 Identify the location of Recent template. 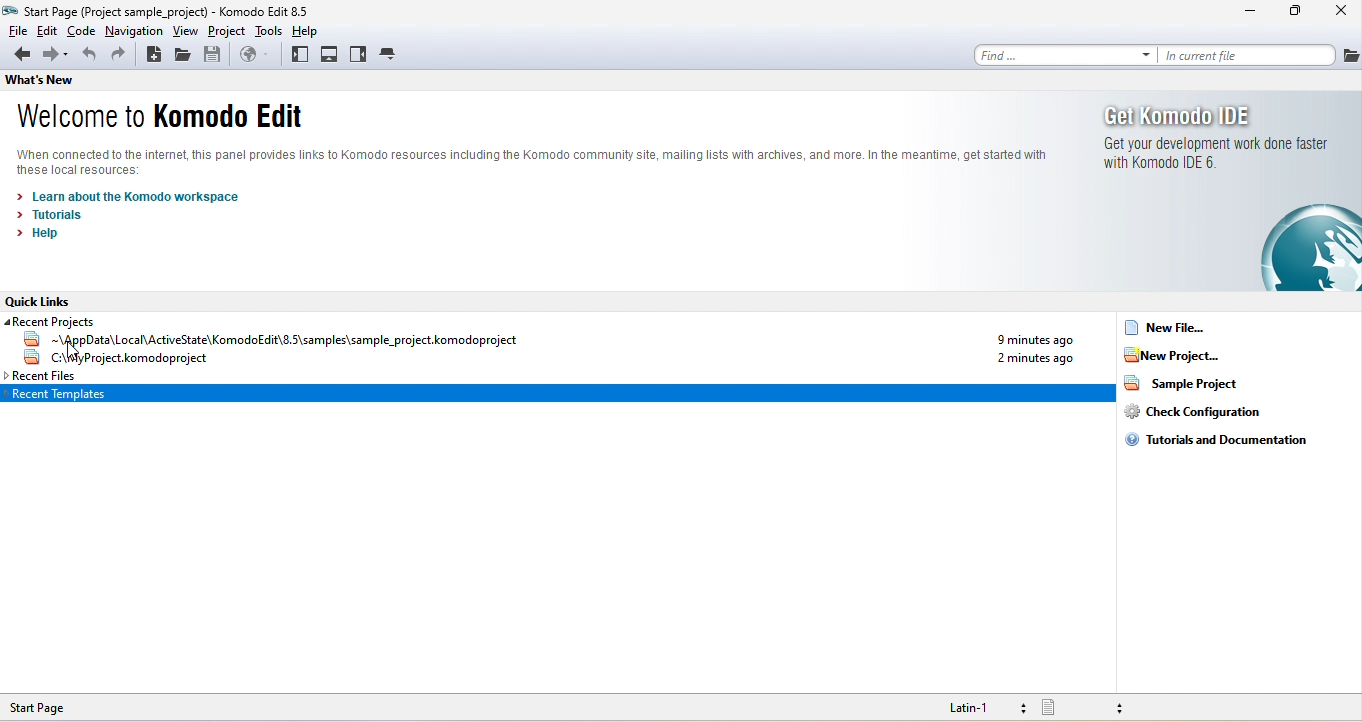
(79, 394).